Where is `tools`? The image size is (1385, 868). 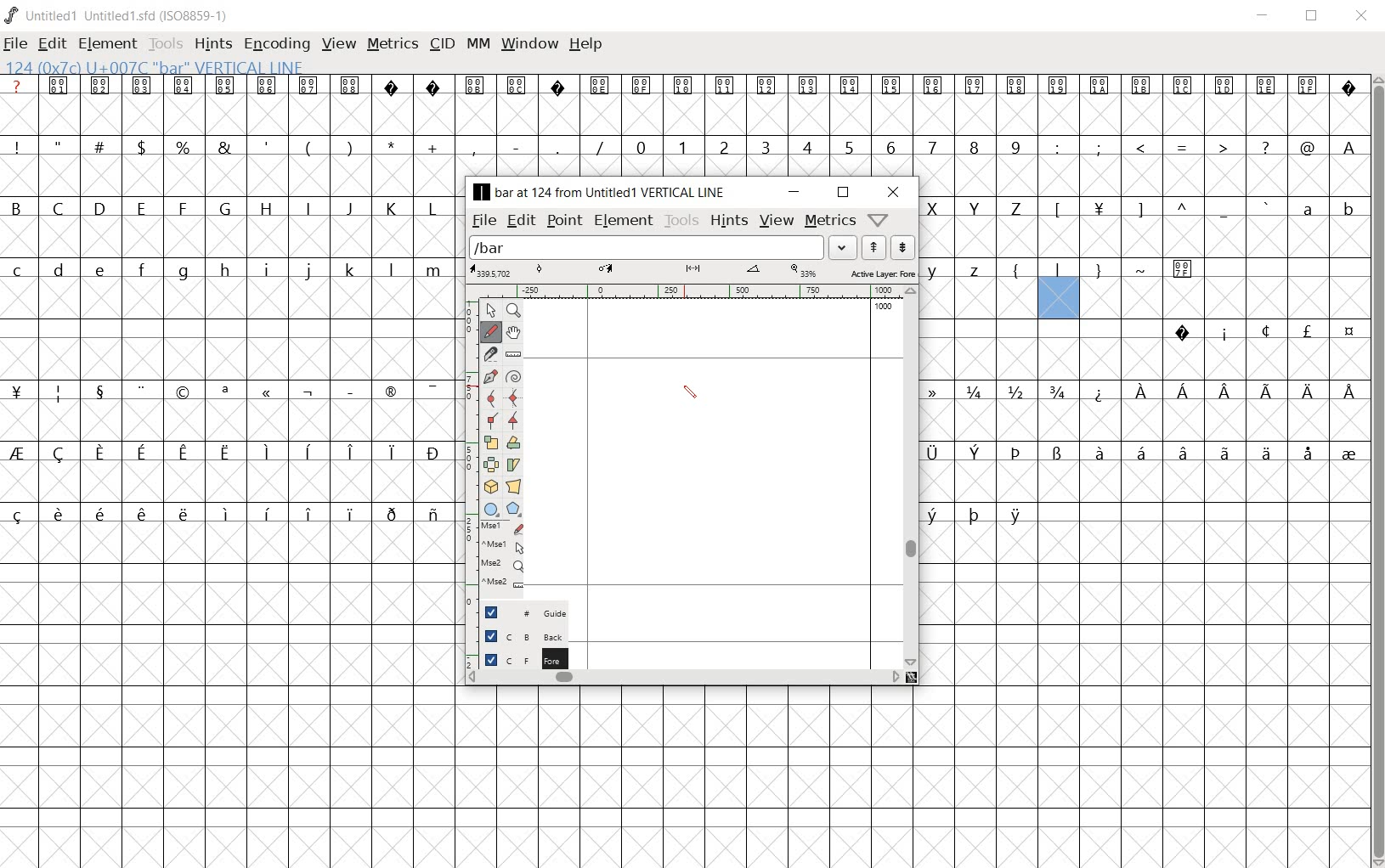 tools is located at coordinates (680, 220).